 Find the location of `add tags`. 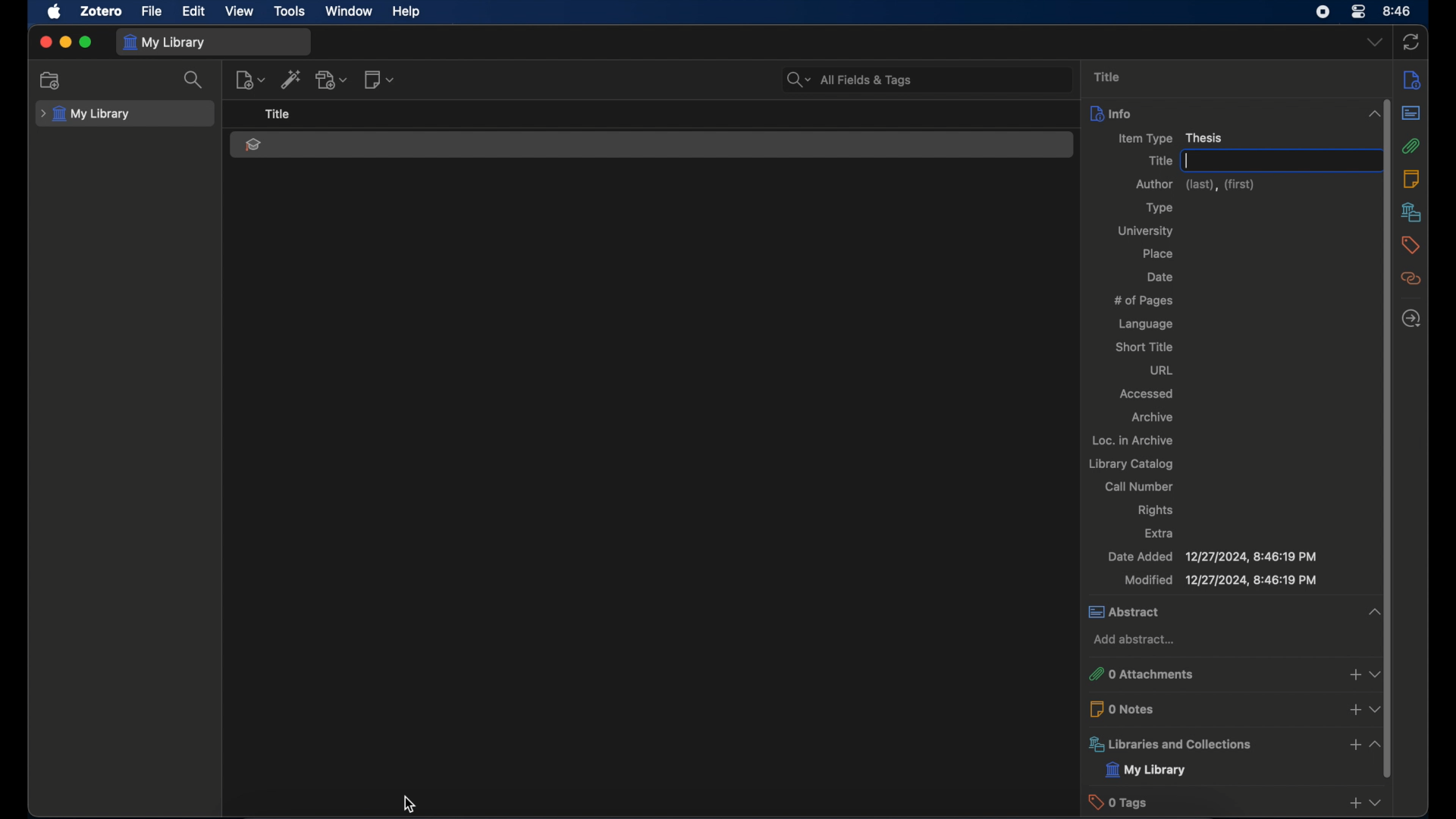

add tags is located at coordinates (1353, 805).